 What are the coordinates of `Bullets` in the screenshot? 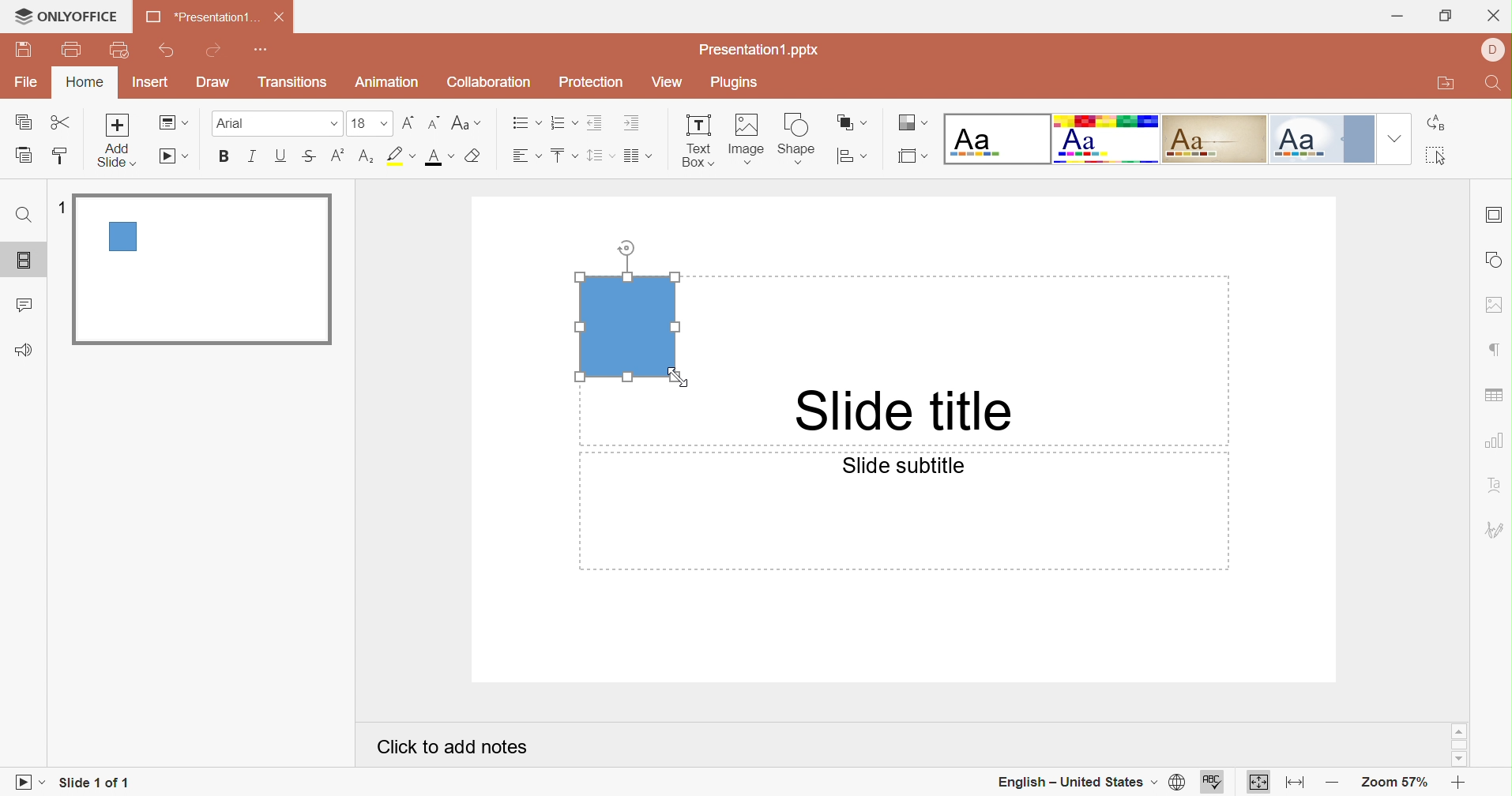 It's located at (526, 123).